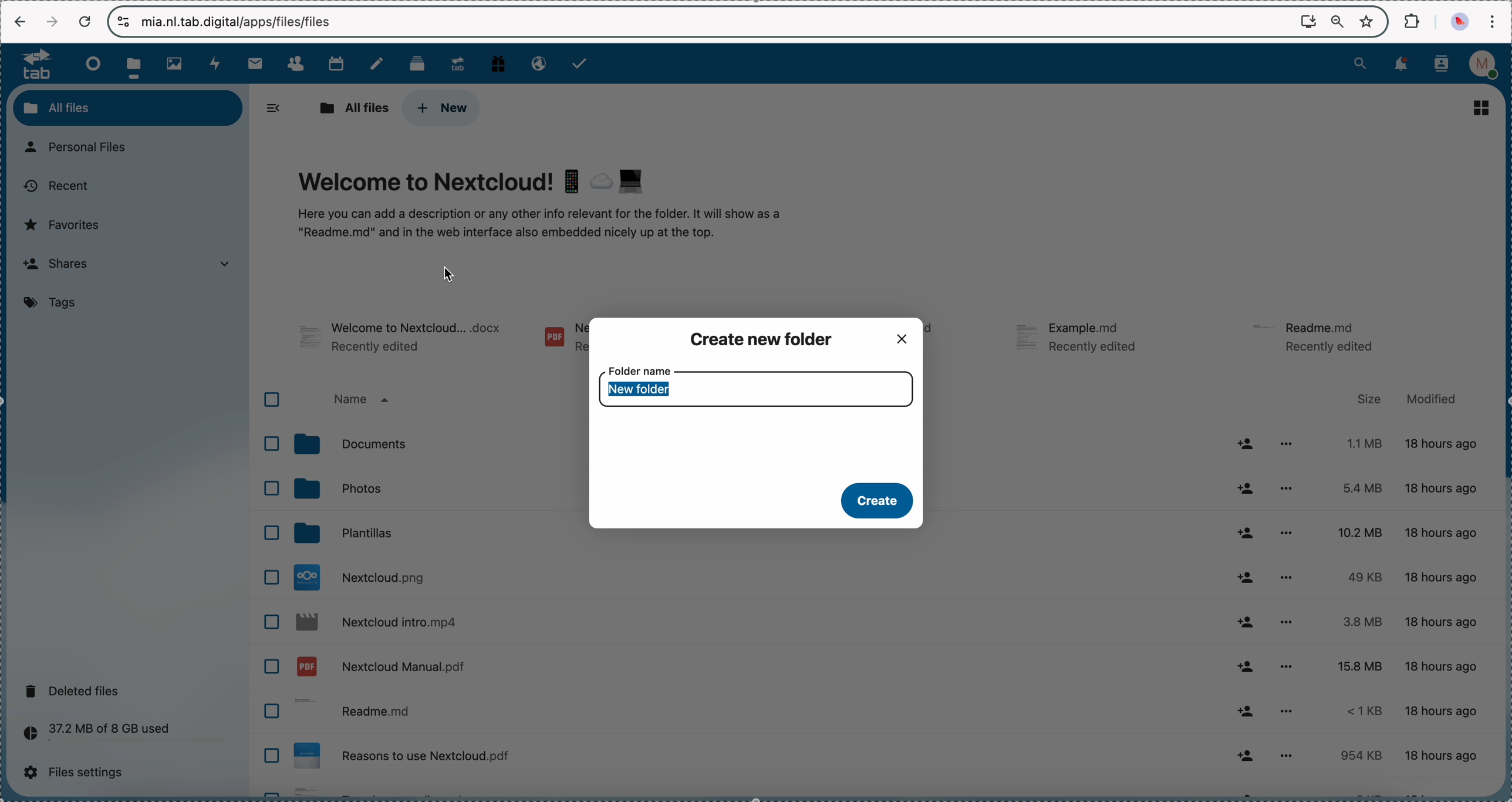  Describe the element at coordinates (128, 107) in the screenshot. I see `all files` at that location.